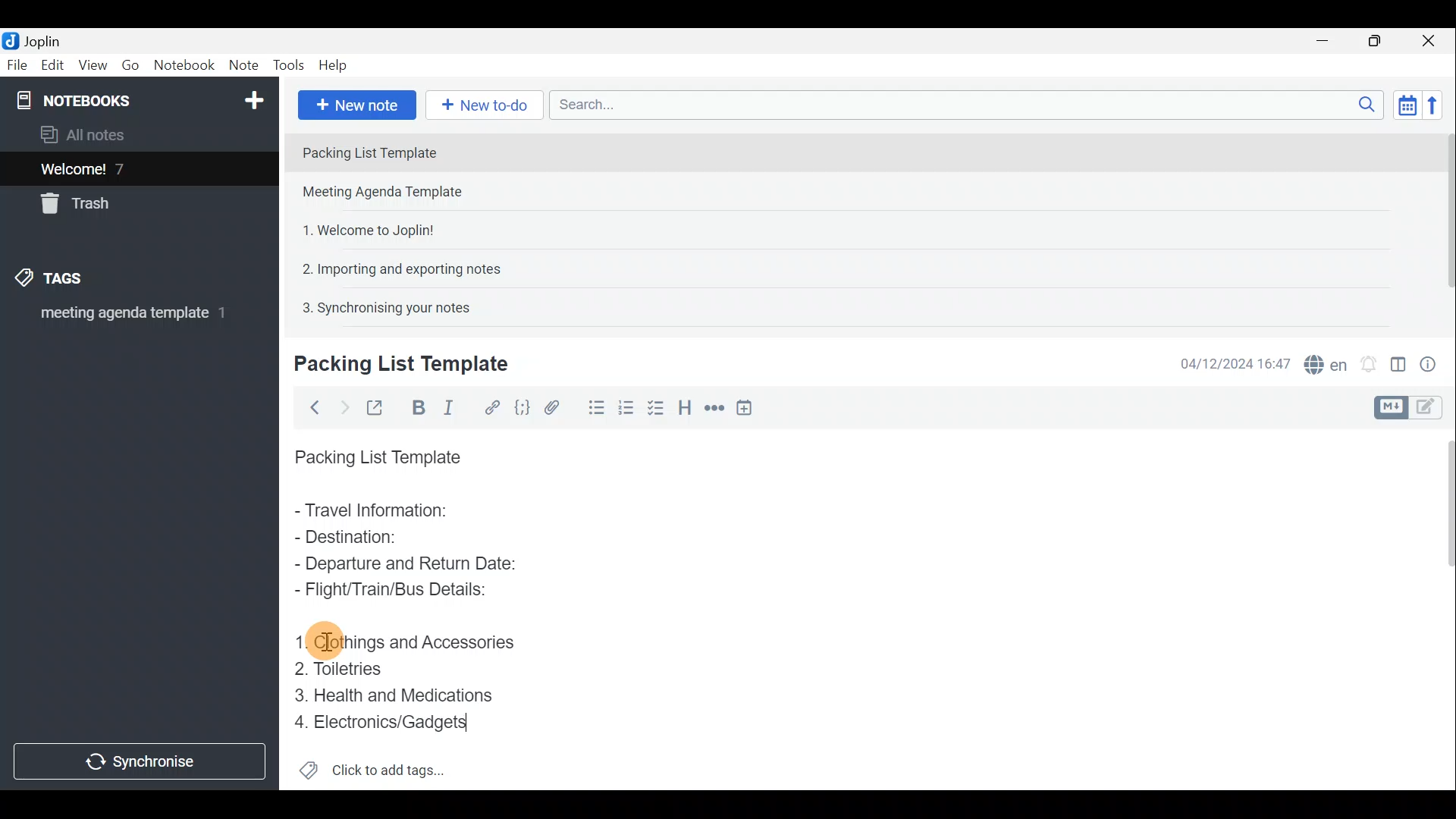 This screenshot has width=1456, height=819. Describe the element at coordinates (375, 453) in the screenshot. I see `Packing List Template` at that location.